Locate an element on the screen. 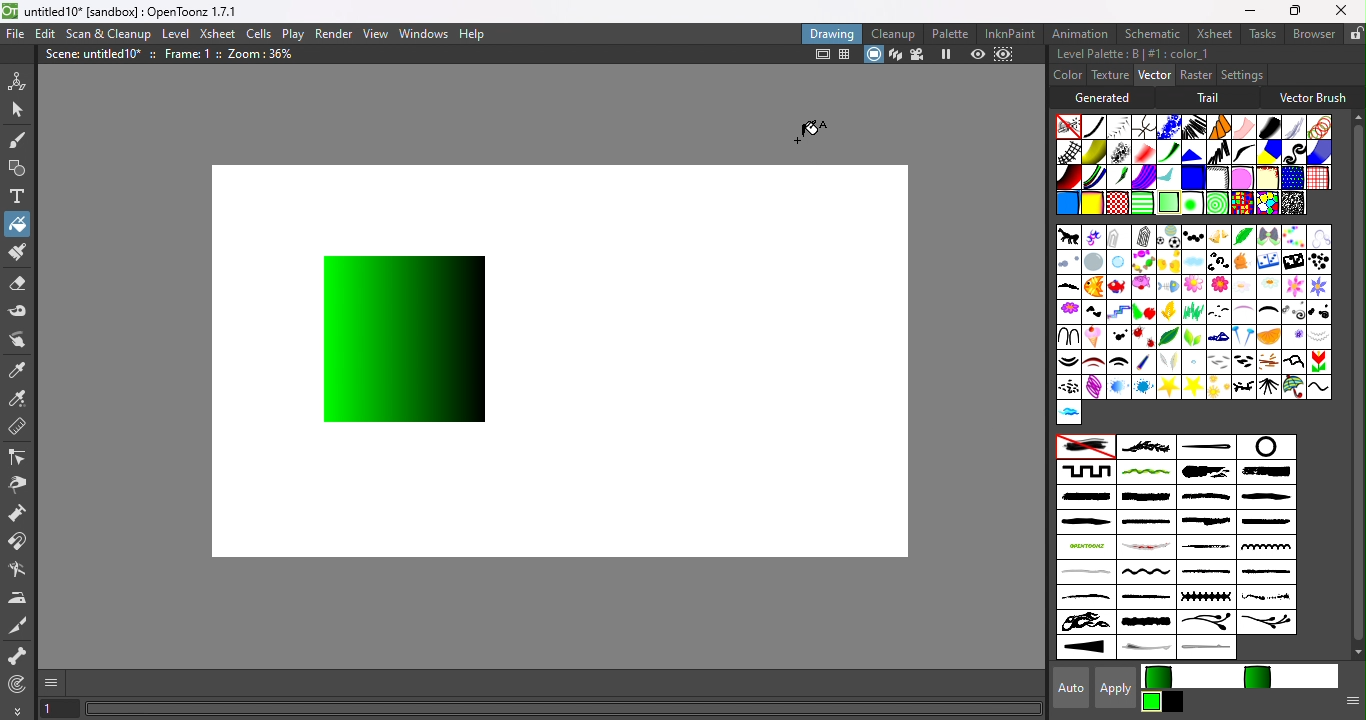 This screenshot has width=1366, height=720. stai is located at coordinates (1119, 387).